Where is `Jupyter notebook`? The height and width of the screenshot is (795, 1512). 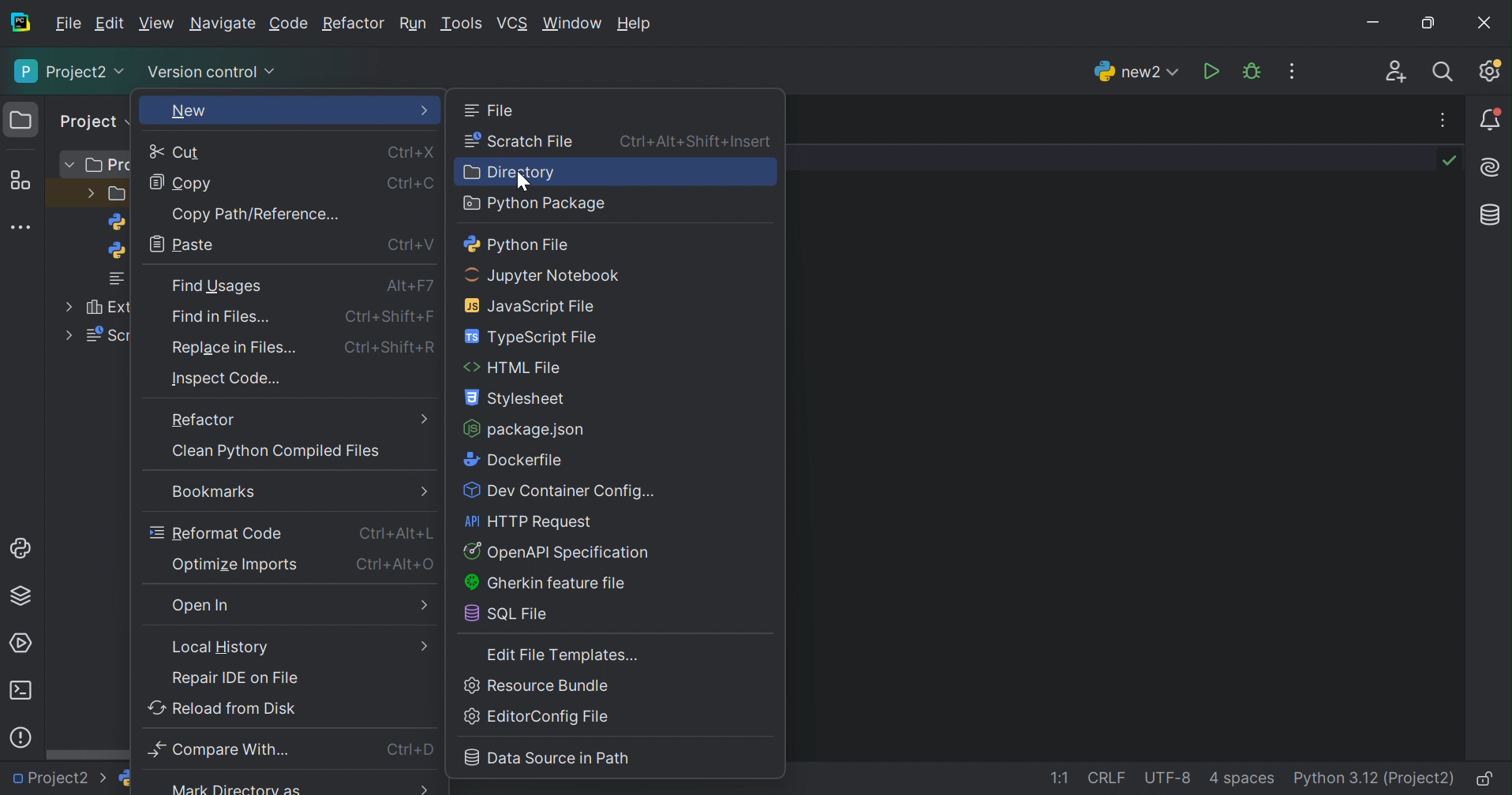 Jupyter notebook is located at coordinates (544, 278).